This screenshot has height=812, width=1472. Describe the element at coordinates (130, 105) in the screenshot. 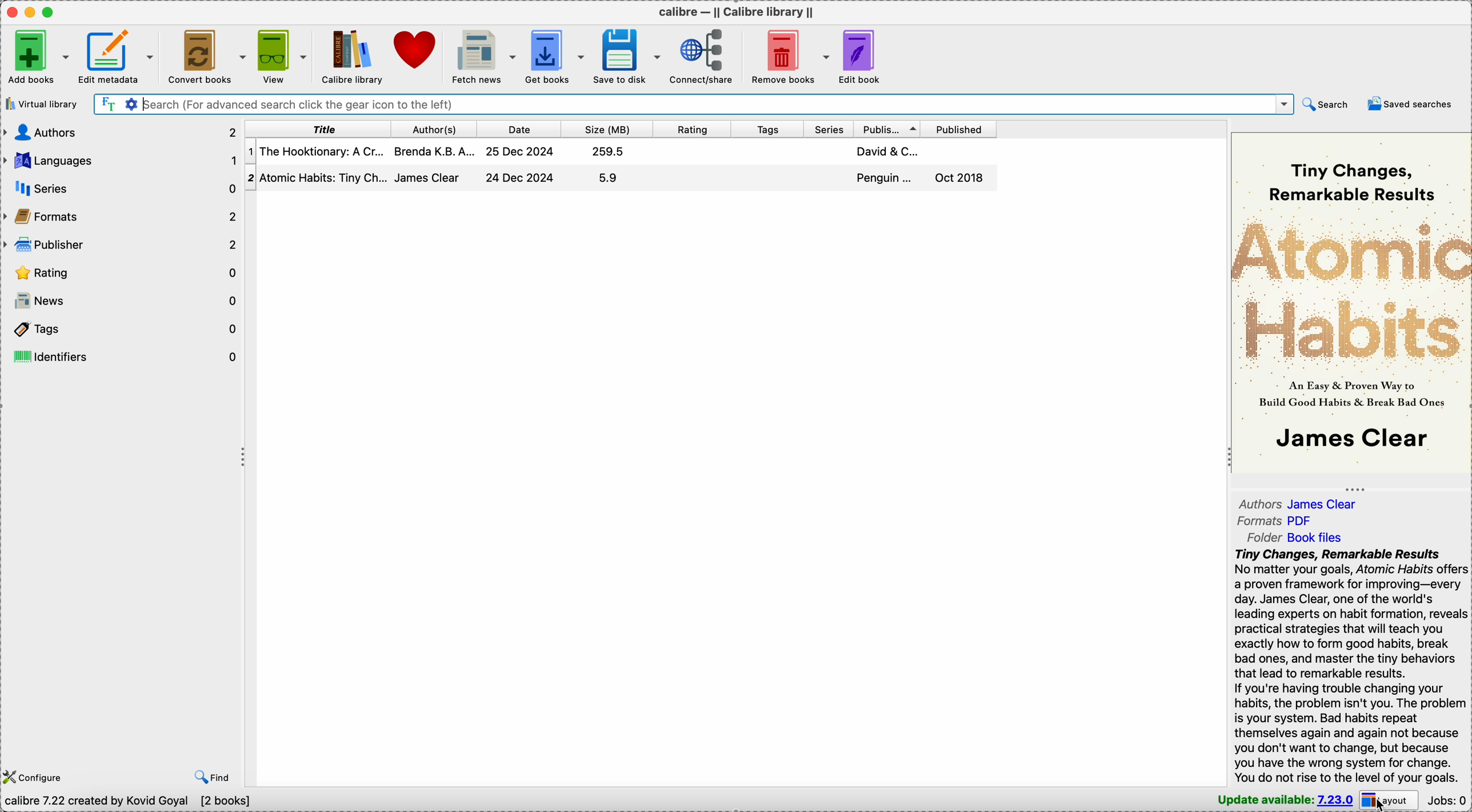

I see `advanced search` at that location.